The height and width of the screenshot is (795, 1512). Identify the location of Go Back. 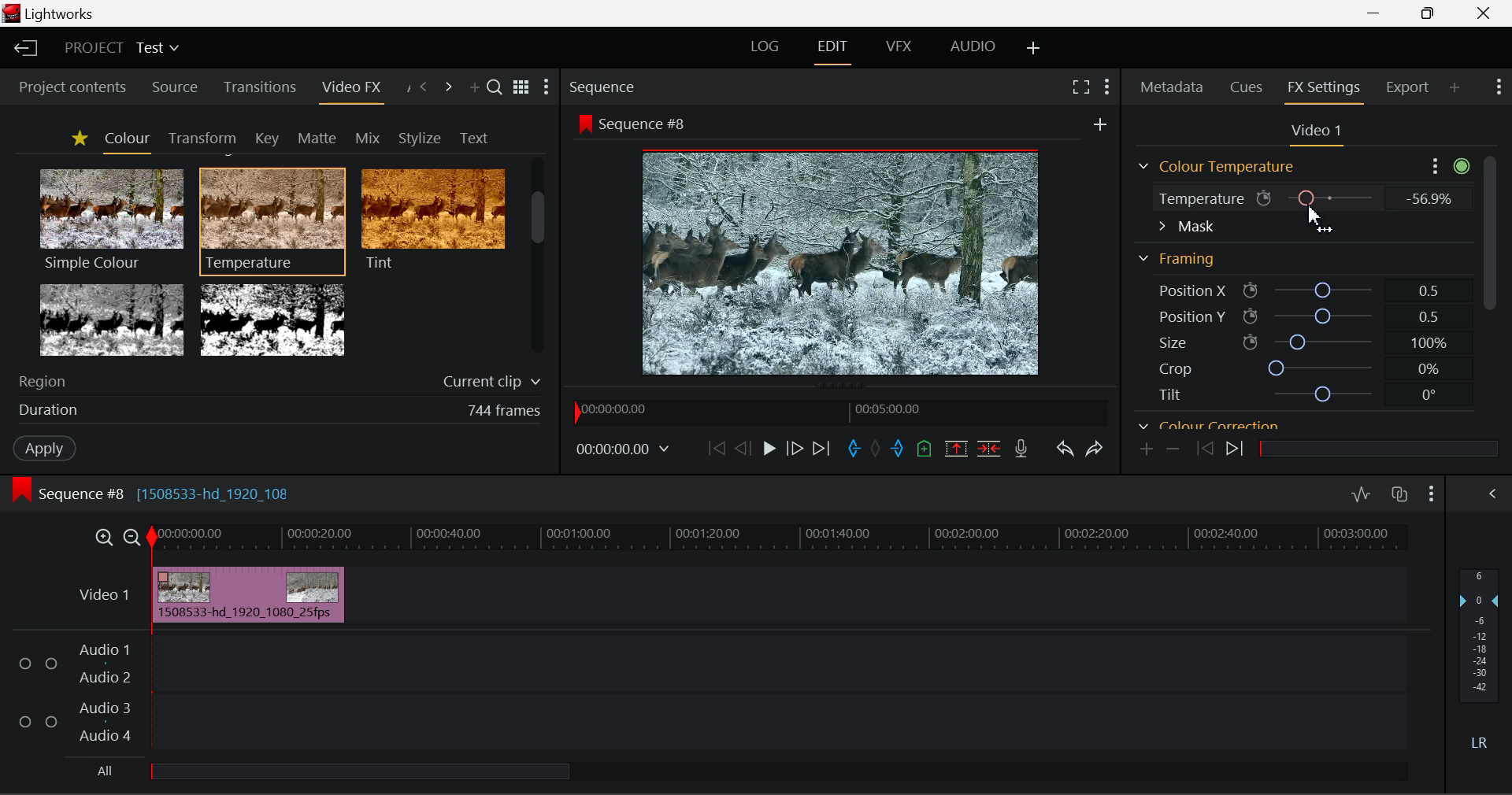
(743, 449).